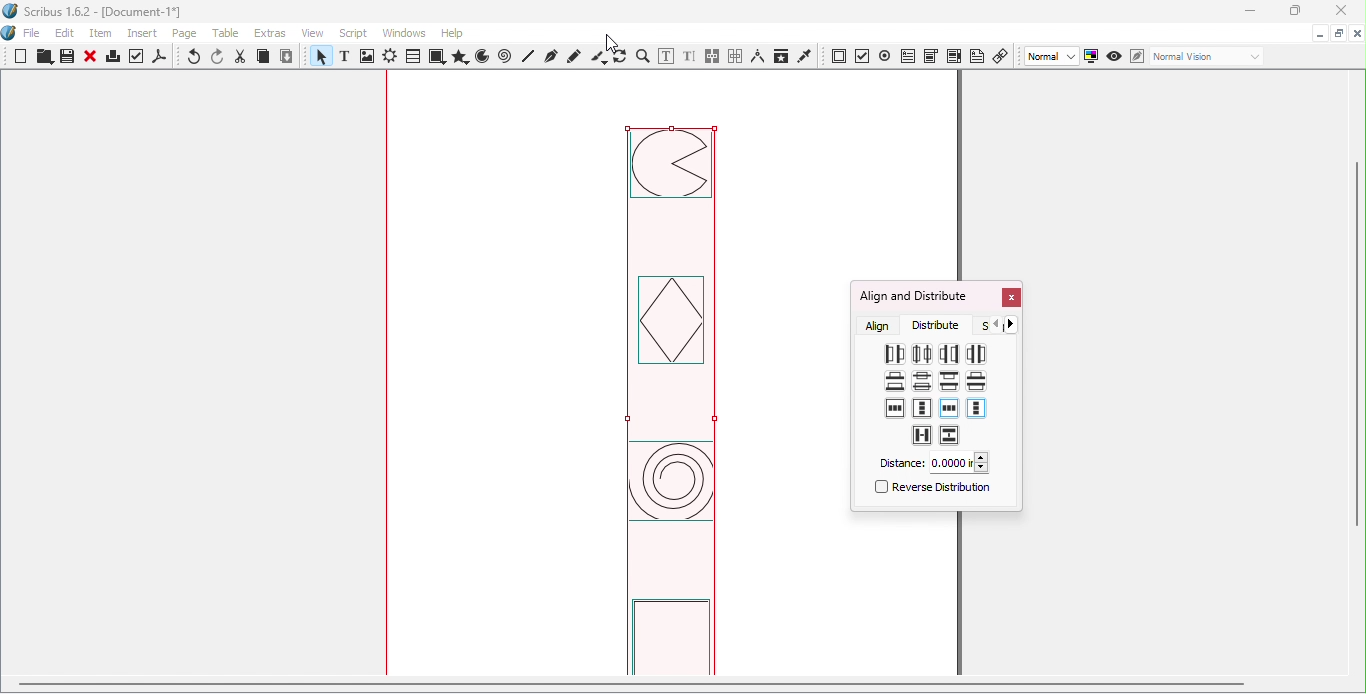 Image resolution: width=1366 pixels, height=694 pixels. Describe the element at coordinates (1053, 57) in the screenshot. I see `Select image preview quality` at that location.